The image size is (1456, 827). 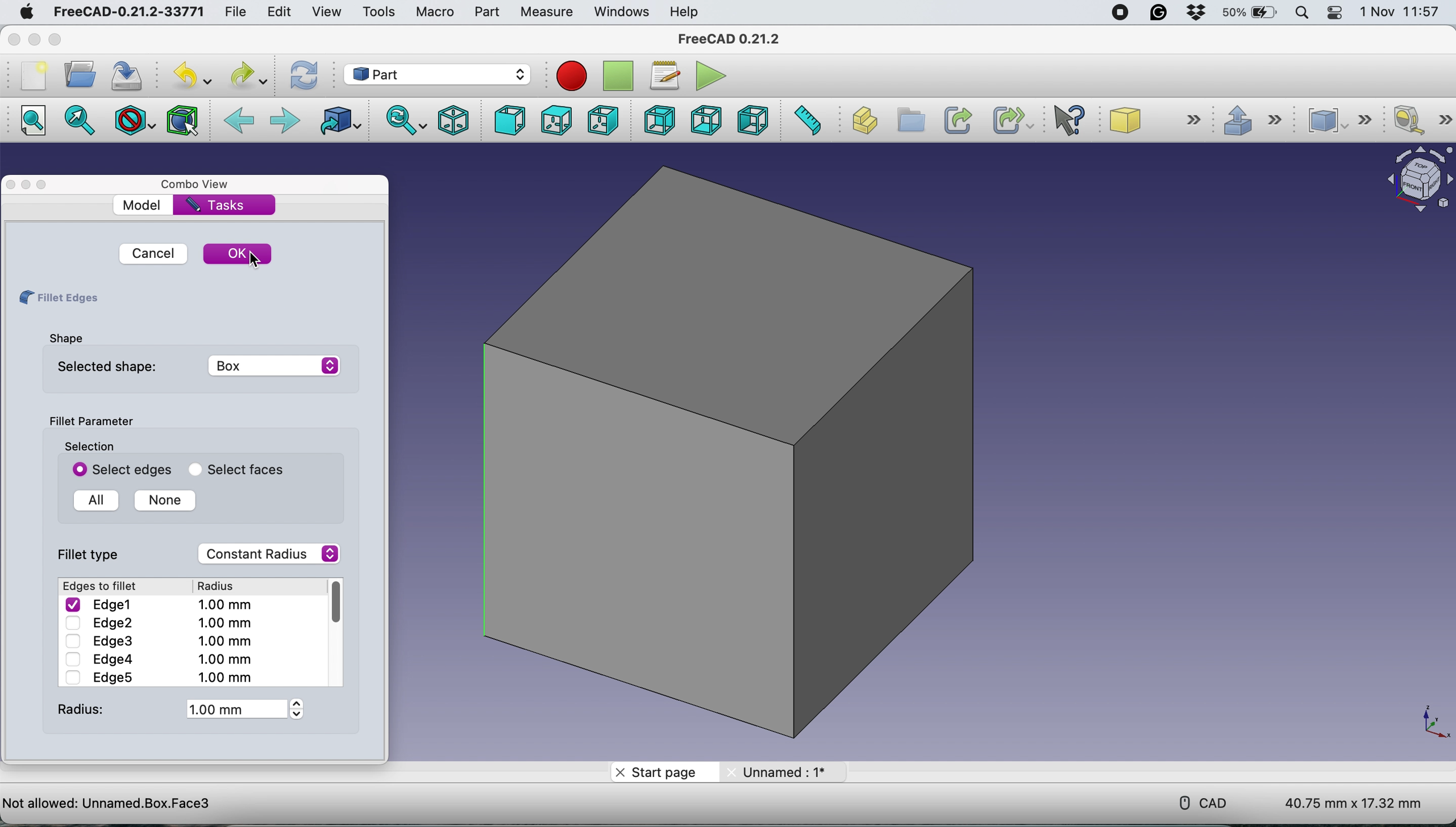 I want to click on refresh, so click(x=302, y=76).